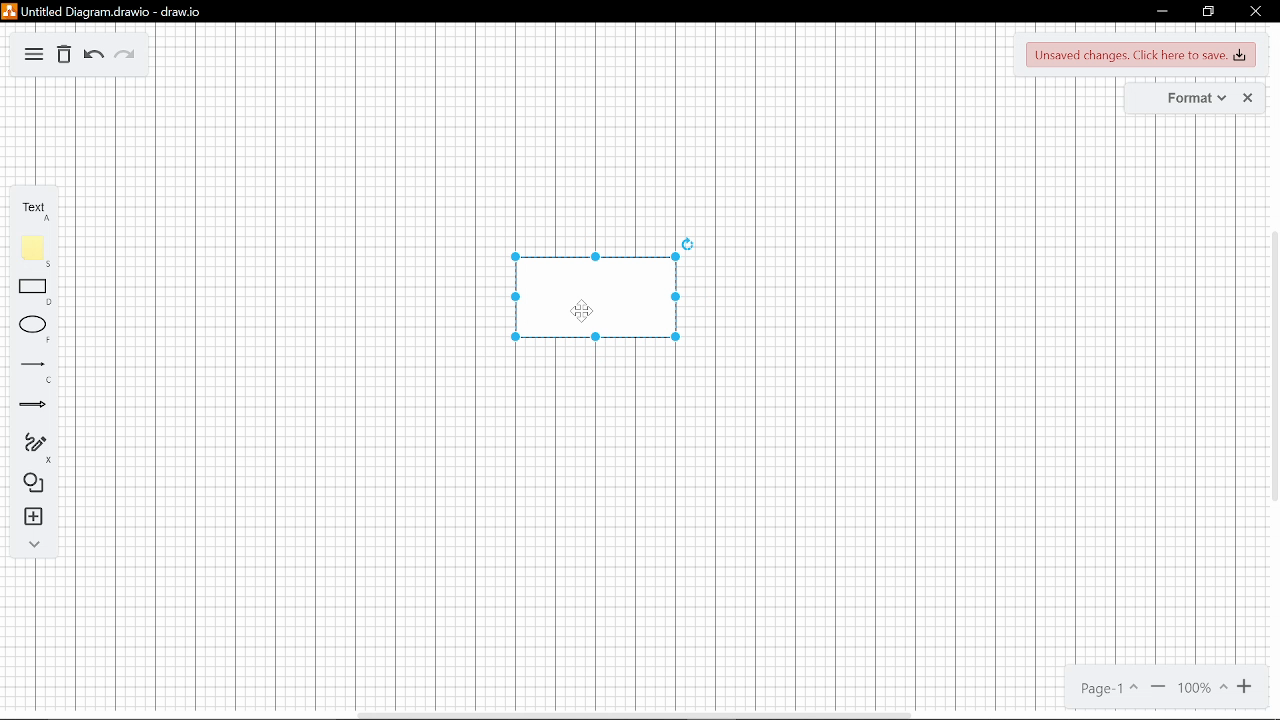 The width and height of the screenshot is (1280, 720). I want to click on minimize, so click(1161, 14).